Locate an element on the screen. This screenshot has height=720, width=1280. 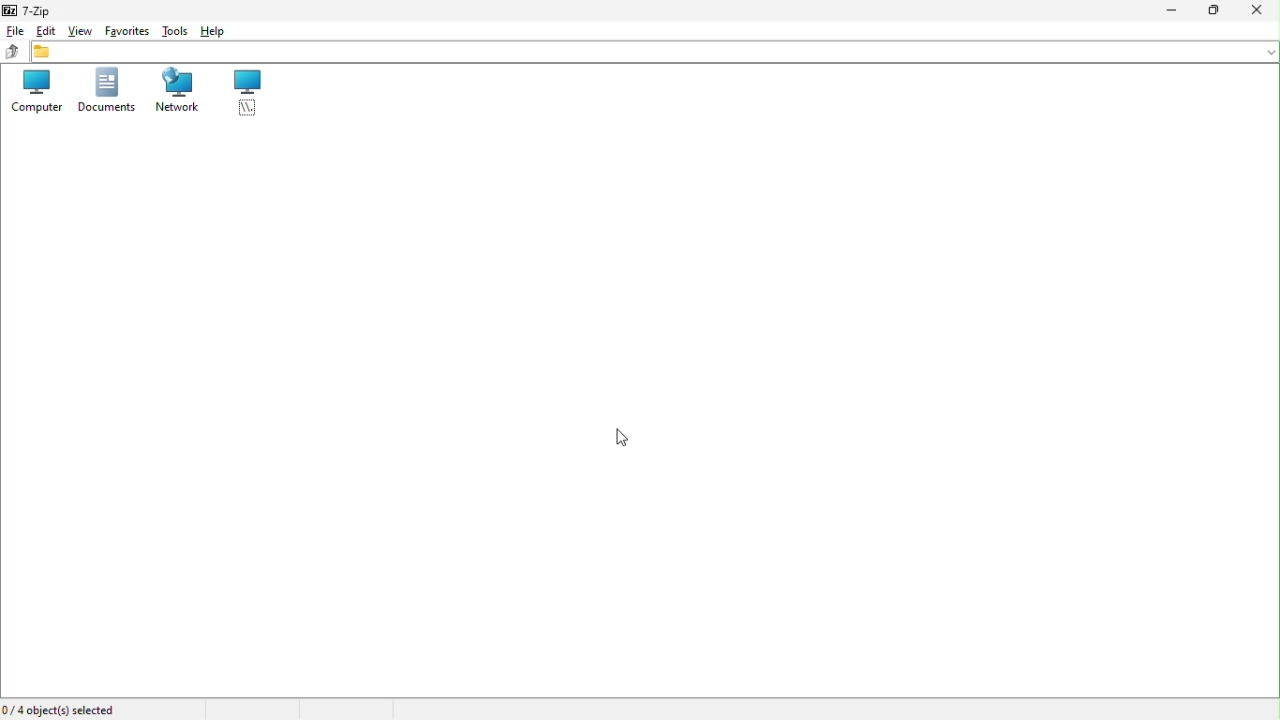
Help is located at coordinates (219, 31).